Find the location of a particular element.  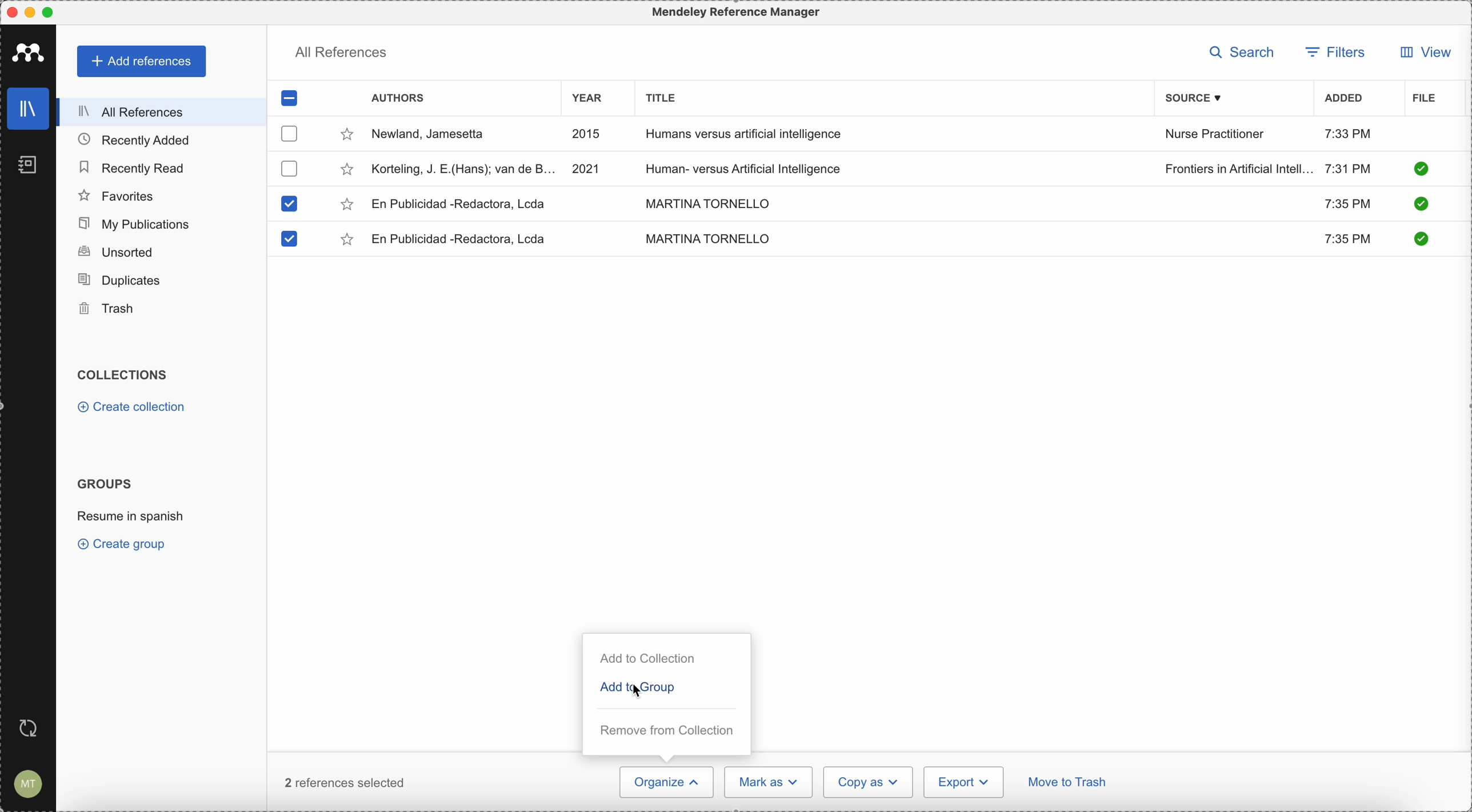

Humans versus artificial intelligence is located at coordinates (745, 135).